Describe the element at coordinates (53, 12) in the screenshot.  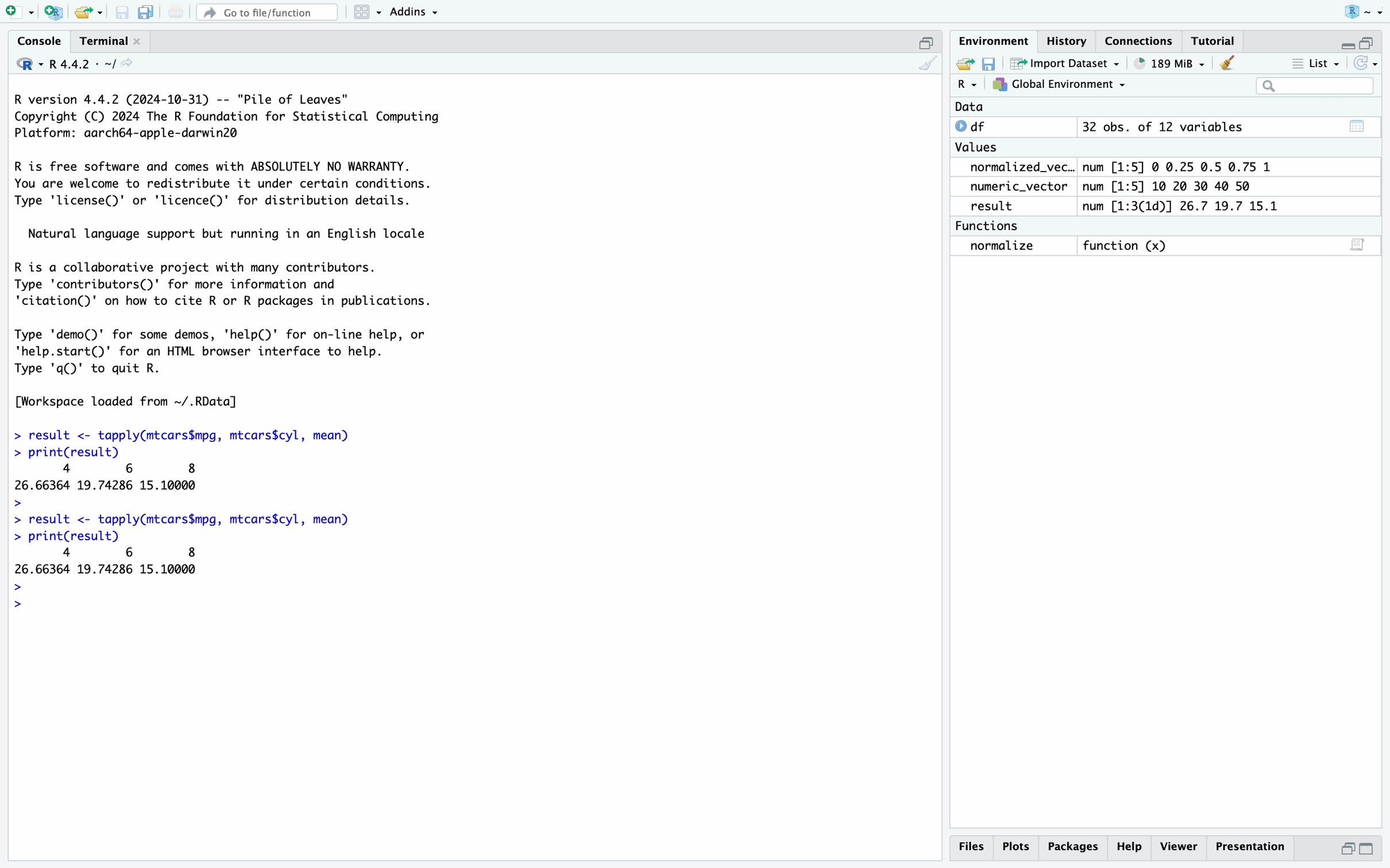
I see `Create a project` at that location.